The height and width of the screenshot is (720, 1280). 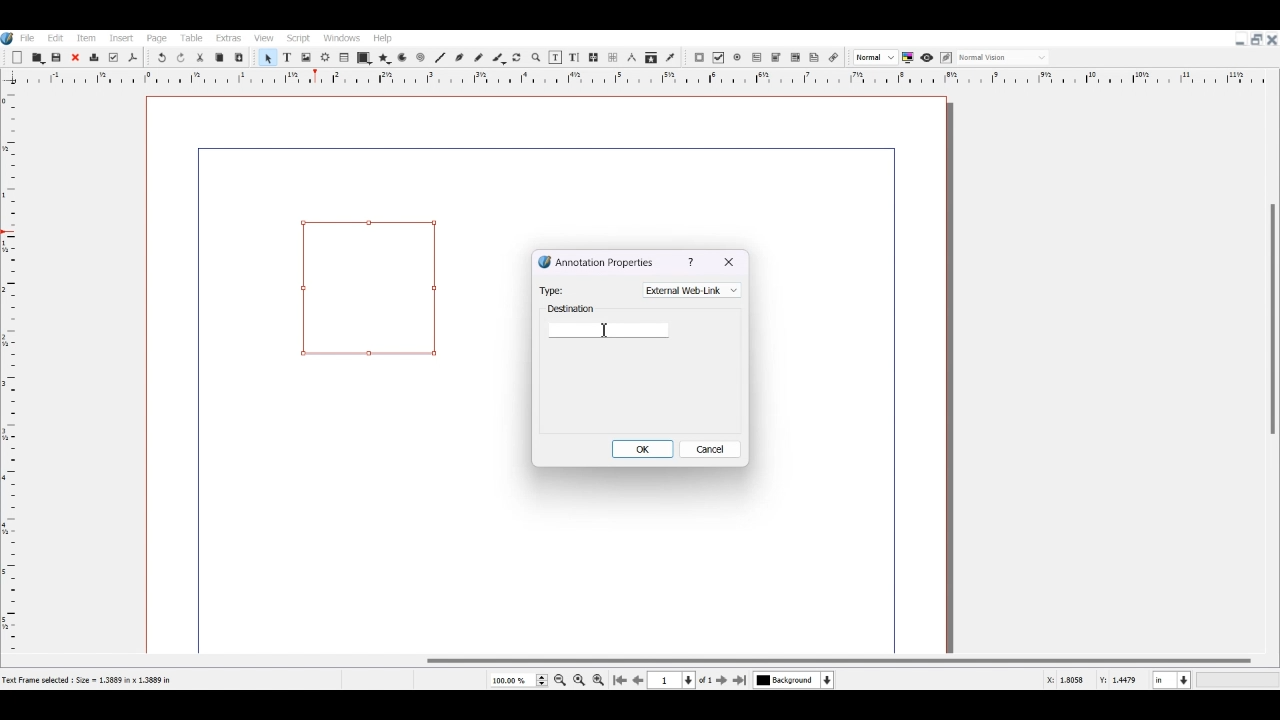 I want to click on View, so click(x=263, y=38).